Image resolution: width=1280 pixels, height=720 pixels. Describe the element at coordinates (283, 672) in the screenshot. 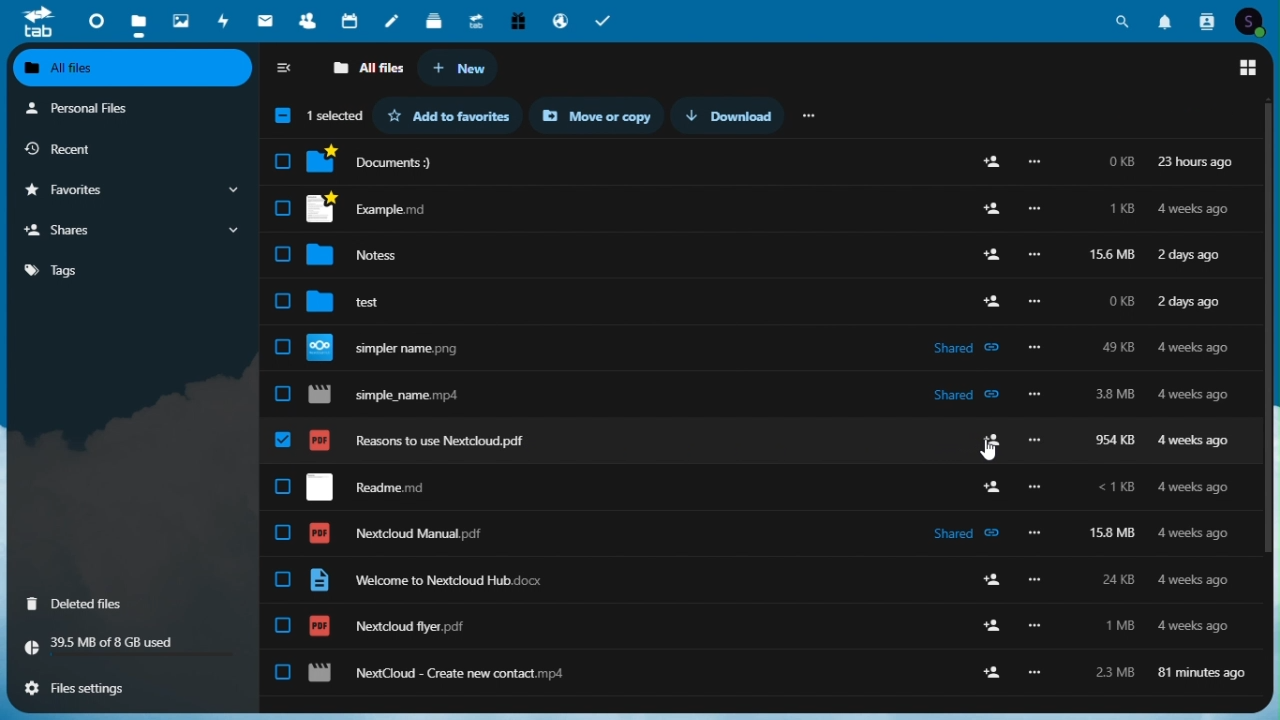

I see `checkbox` at that location.